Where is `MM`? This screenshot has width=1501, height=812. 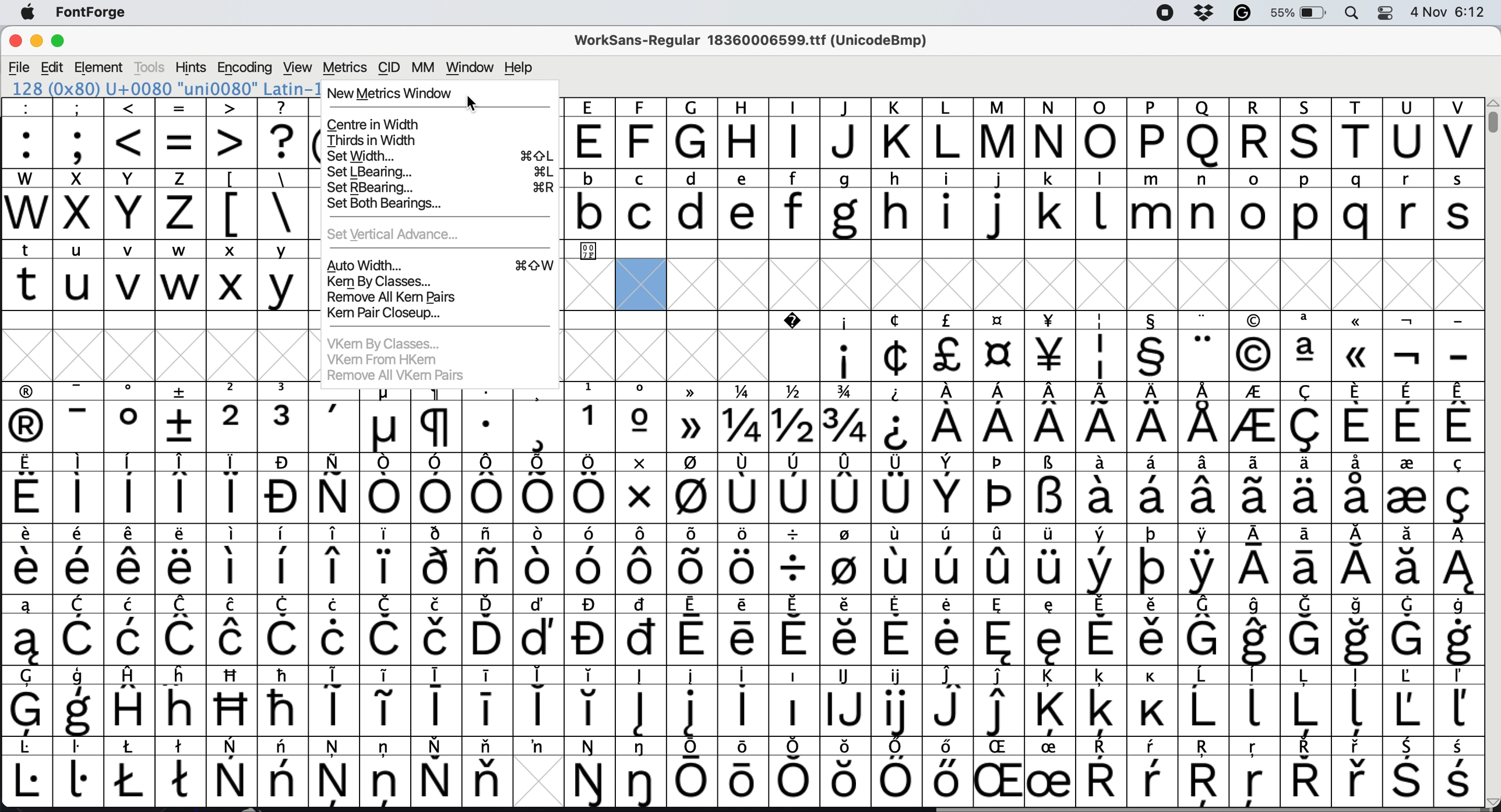
MM is located at coordinates (426, 66).